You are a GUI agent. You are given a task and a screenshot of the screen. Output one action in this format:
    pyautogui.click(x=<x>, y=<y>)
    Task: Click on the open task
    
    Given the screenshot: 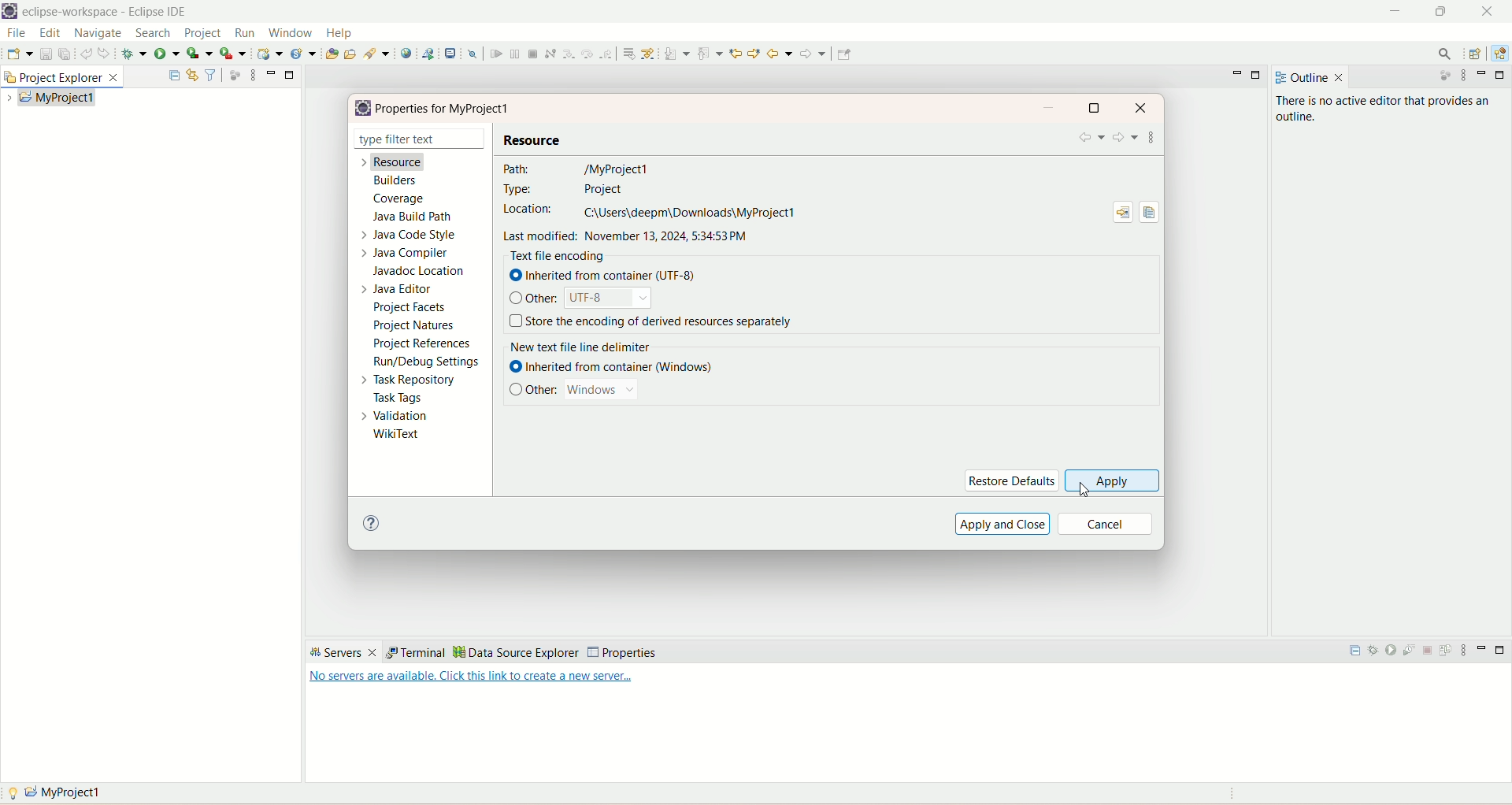 What is the action you would take?
    pyautogui.click(x=351, y=54)
    